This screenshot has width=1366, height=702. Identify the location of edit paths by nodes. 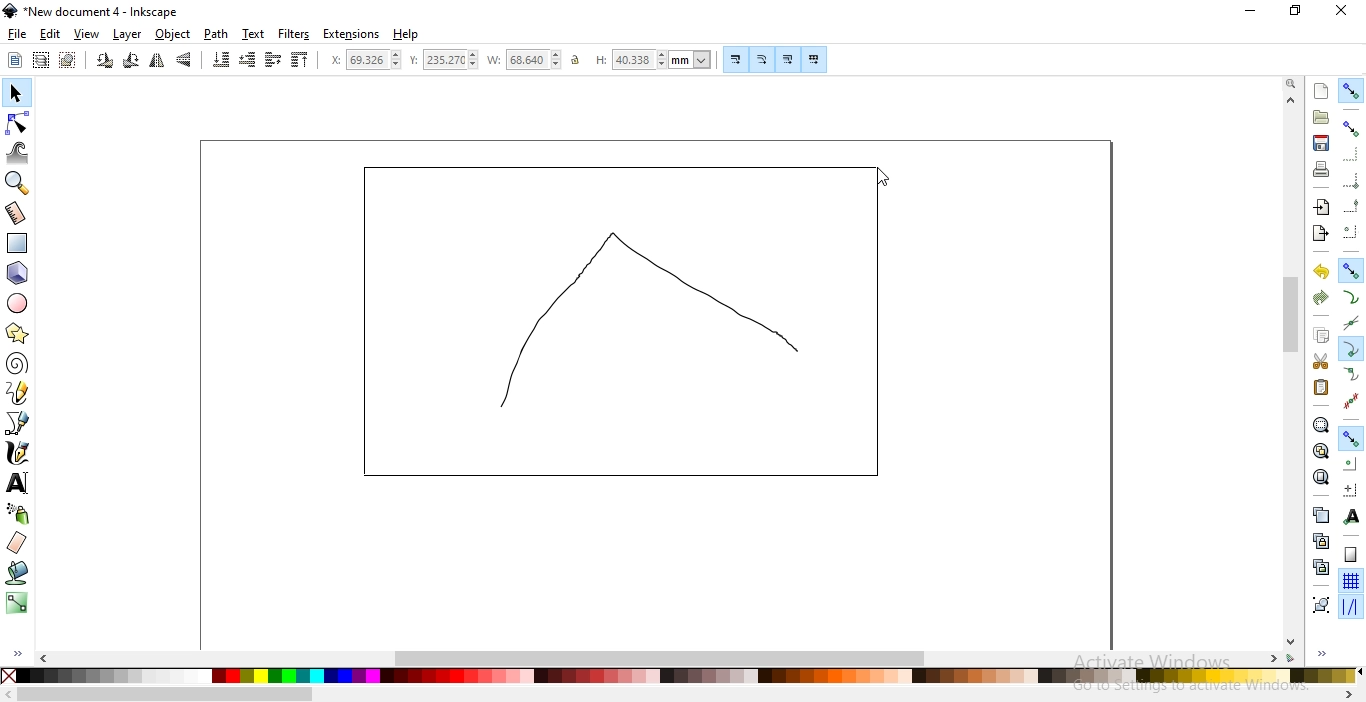
(16, 124).